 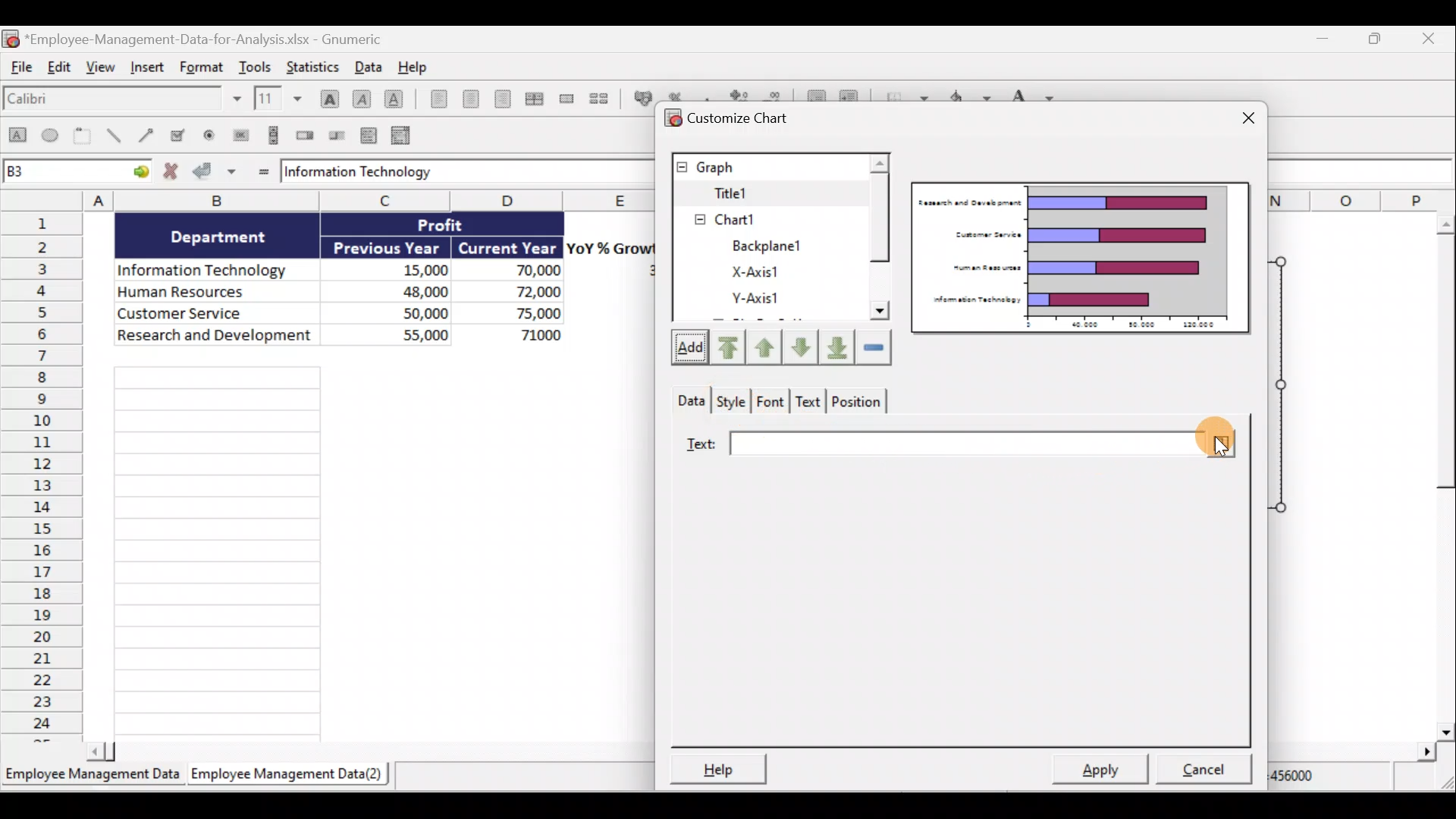 What do you see at coordinates (770, 403) in the screenshot?
I see `Font` at bounding box center [770, 403].